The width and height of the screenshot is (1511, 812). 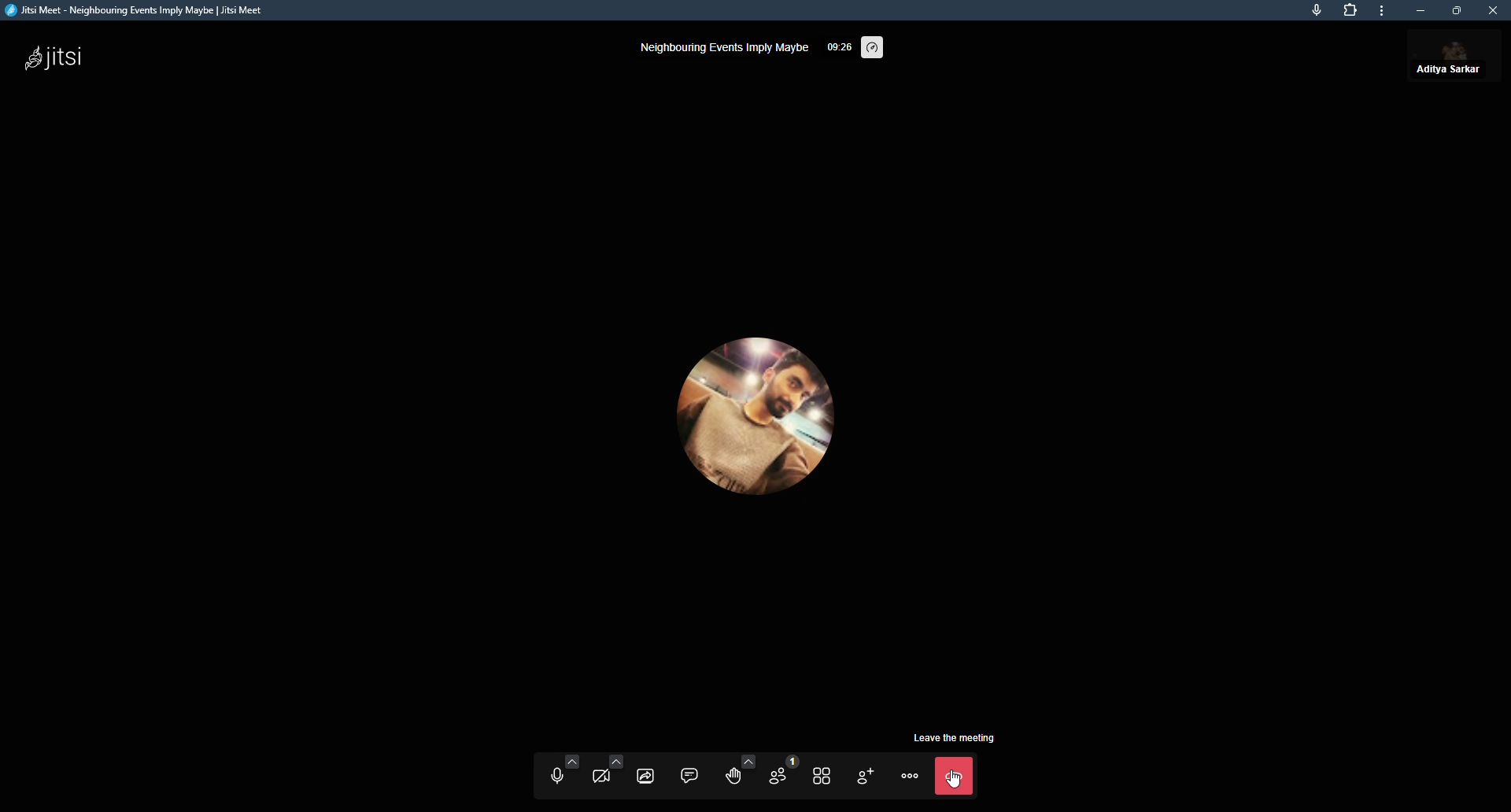 I want to click on minimise, so click(x=1458, y=11).